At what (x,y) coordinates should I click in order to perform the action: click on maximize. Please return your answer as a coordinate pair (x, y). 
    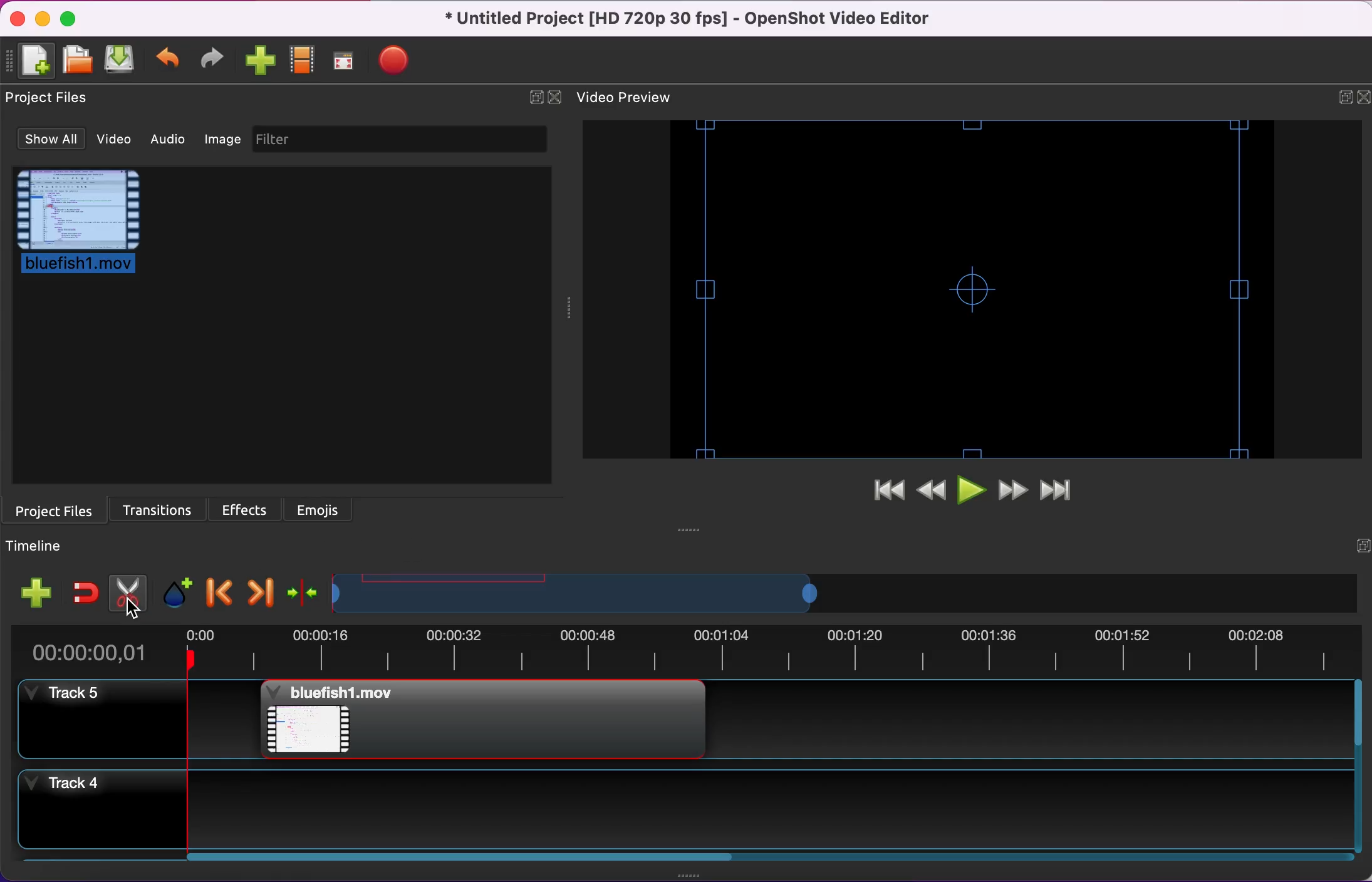
    Looking at the image, I should click on (69, 19).